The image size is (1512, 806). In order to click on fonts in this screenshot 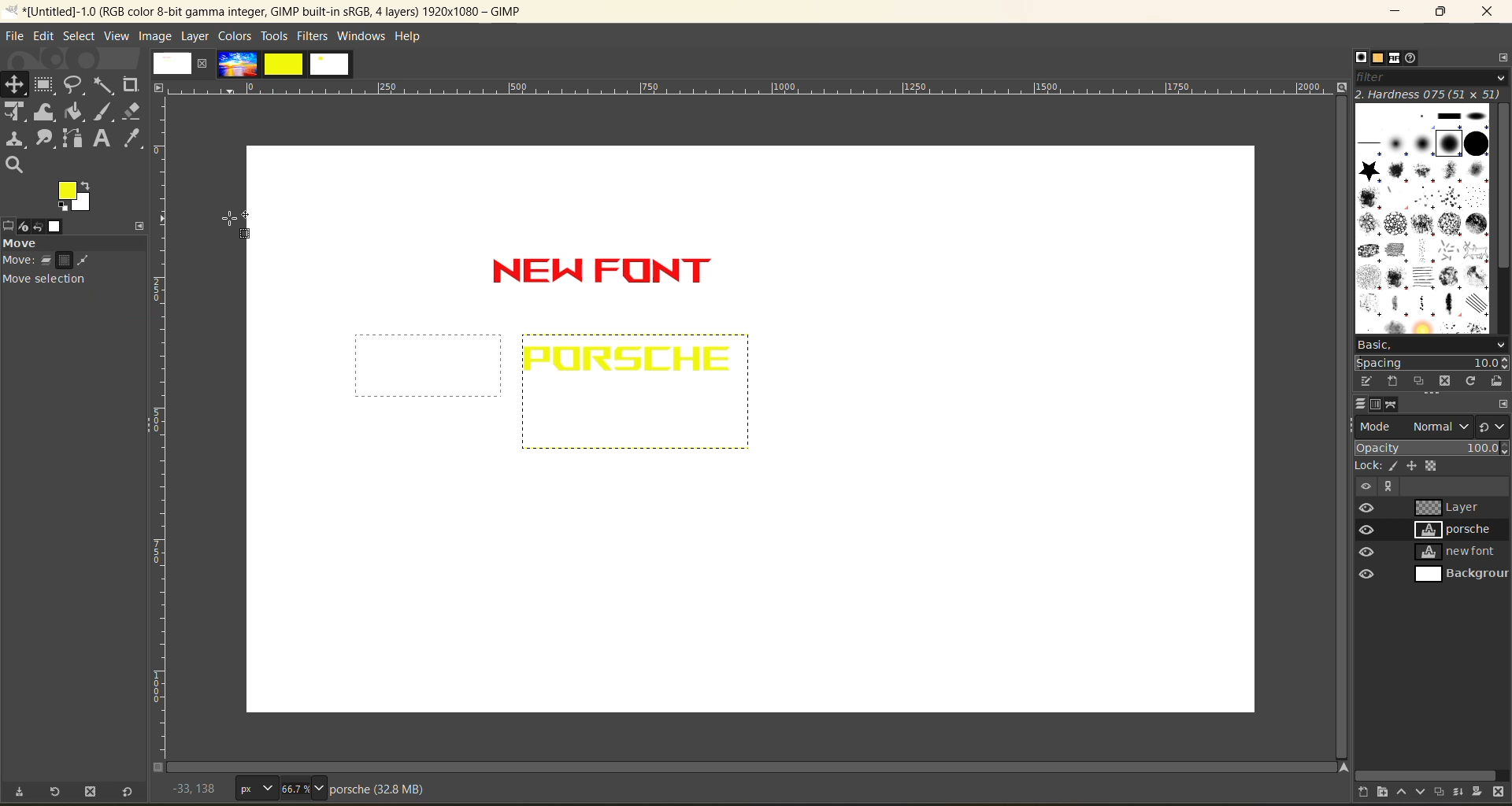, I will do `click(1397, 57)`.